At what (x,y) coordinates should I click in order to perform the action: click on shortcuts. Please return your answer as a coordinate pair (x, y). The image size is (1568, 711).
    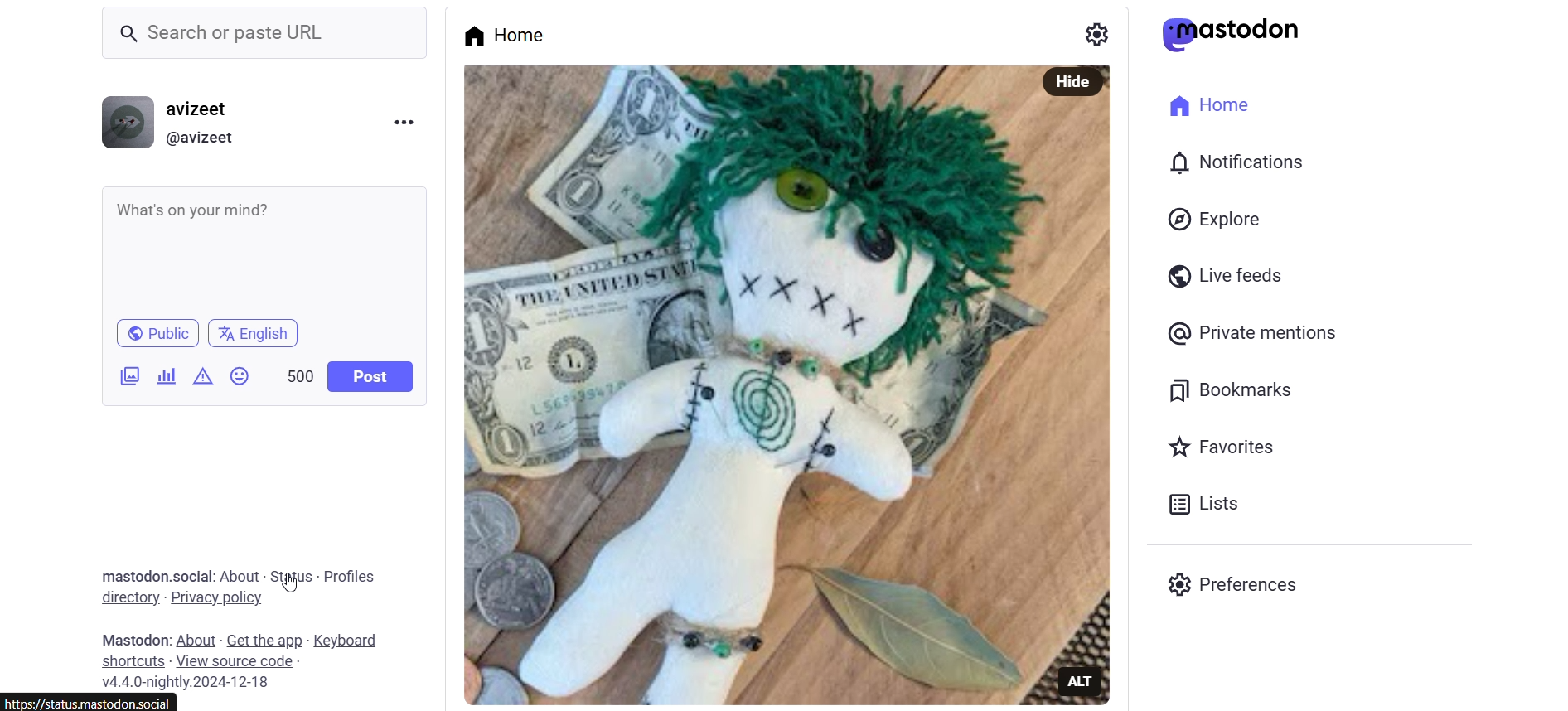
    Looking at the image, I should click on (133, 659).